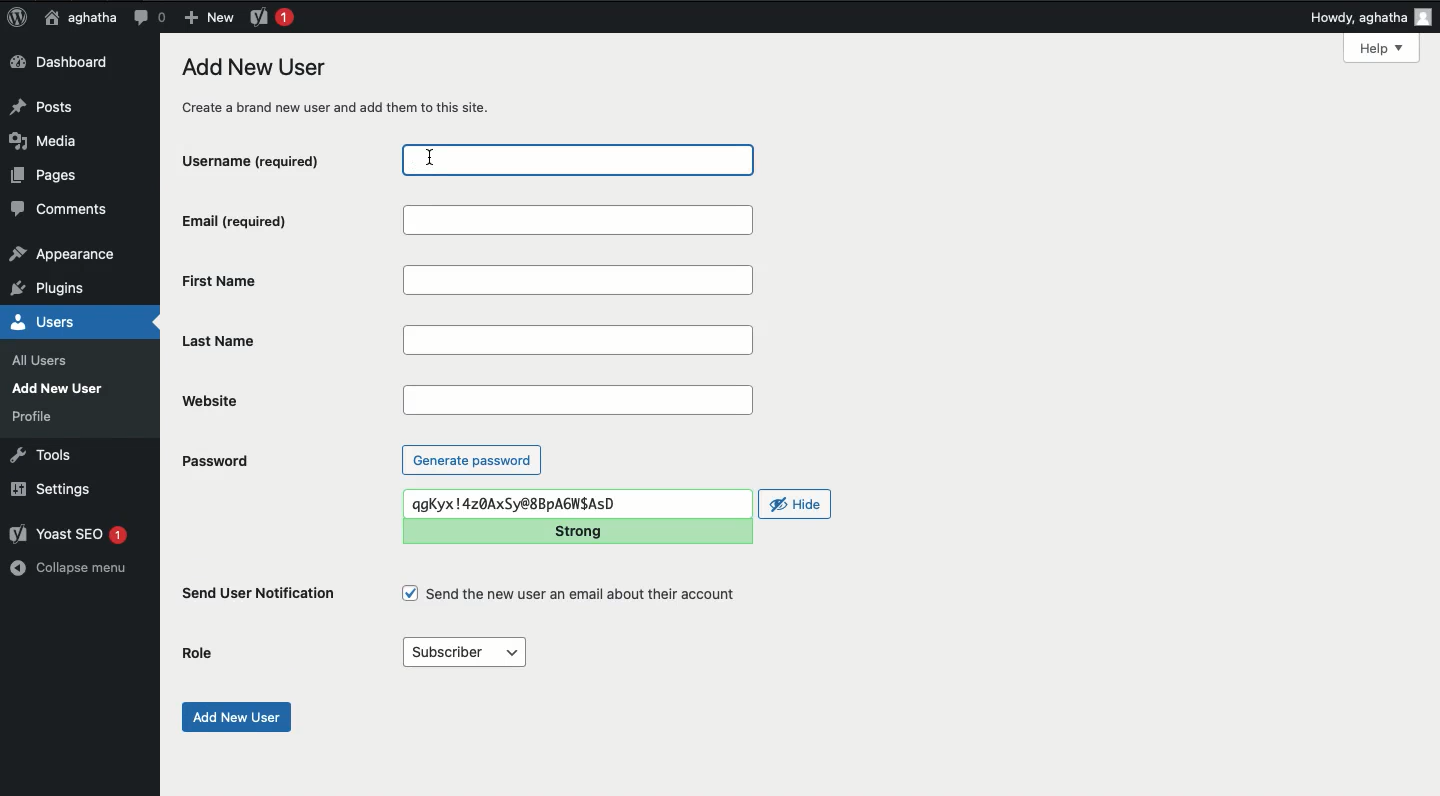 The height and width of the screenshot is (796, 1440). I want to click on Logo, so click(17, 18).